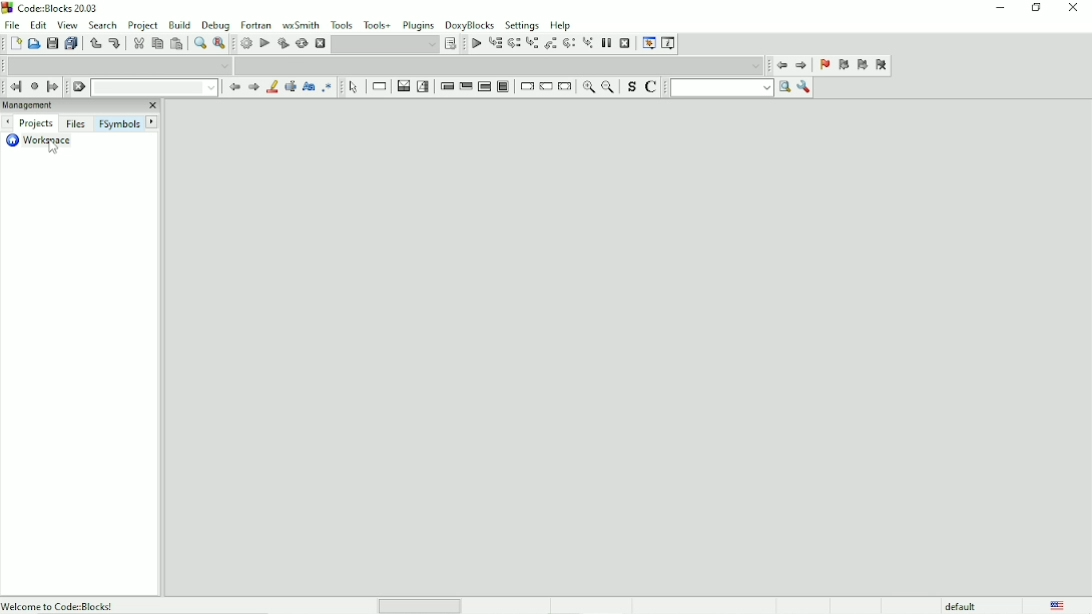 This screenshot has height=614, width=1092. I want to click on Abort, so click(320, 42).